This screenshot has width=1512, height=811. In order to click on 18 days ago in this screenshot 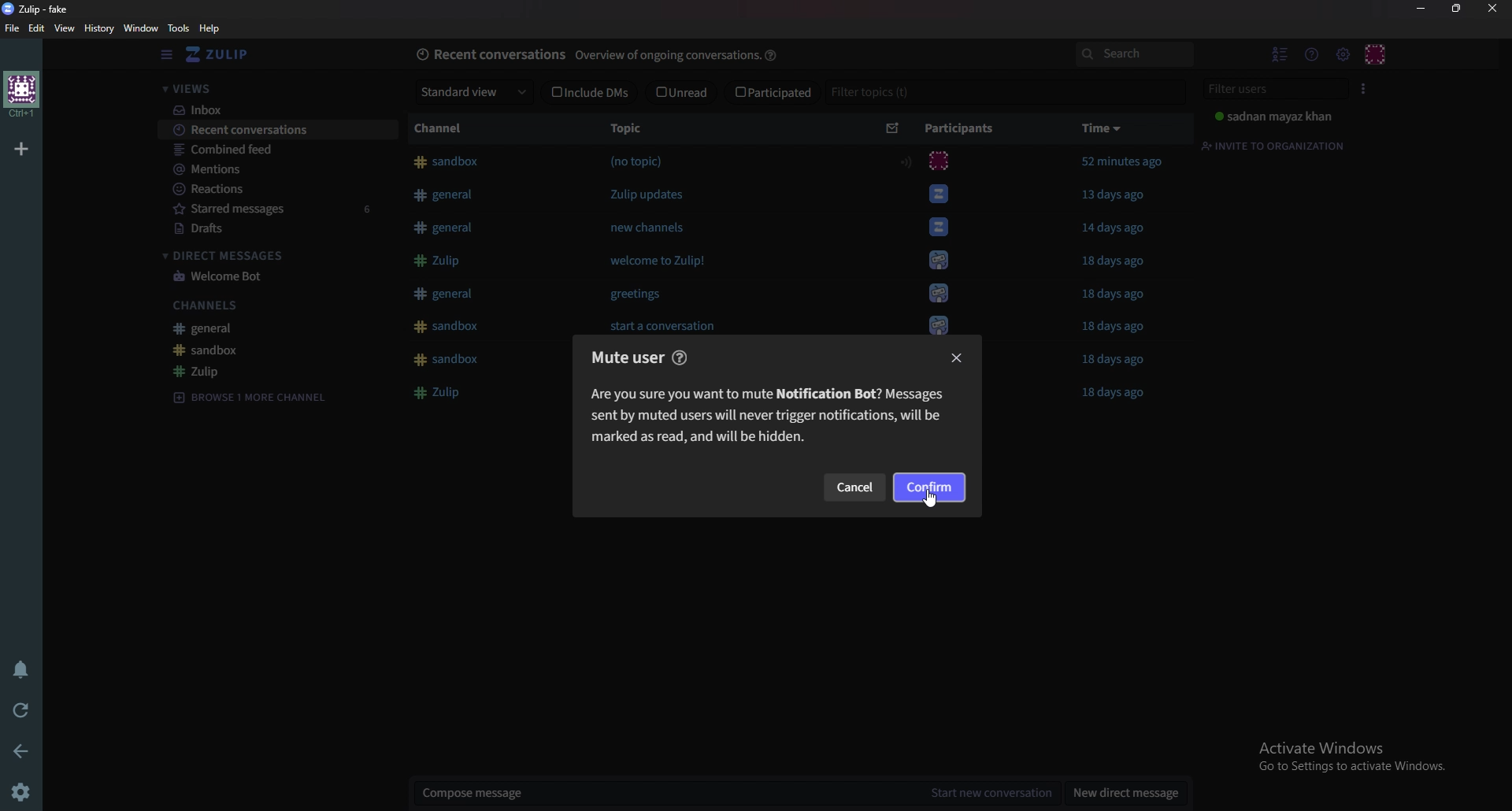, I will do `click(1118, 297)`.